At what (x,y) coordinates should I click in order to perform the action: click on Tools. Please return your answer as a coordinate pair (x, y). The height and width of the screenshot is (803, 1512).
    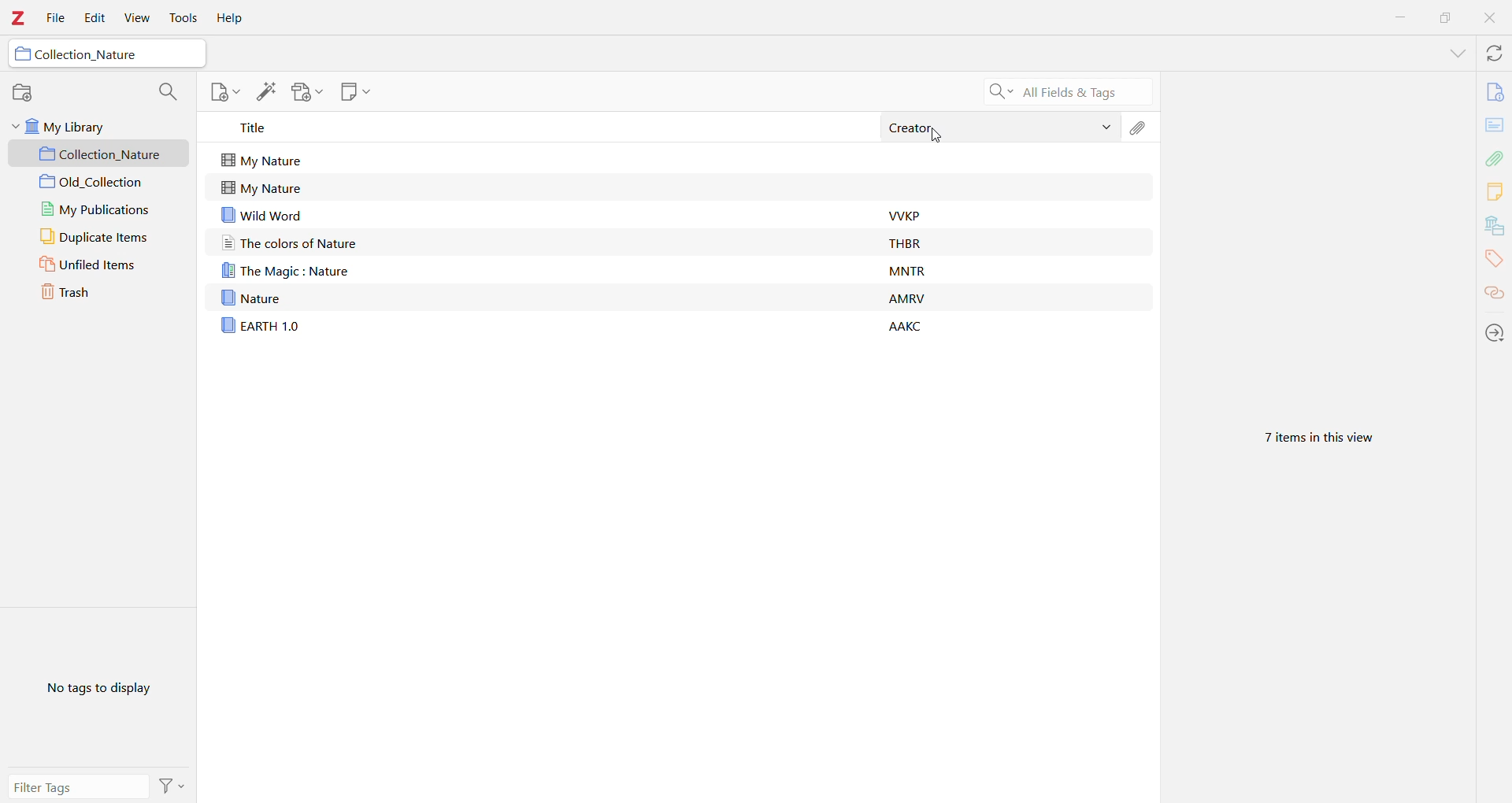
    Looking at the image, I should click on (182, 20).